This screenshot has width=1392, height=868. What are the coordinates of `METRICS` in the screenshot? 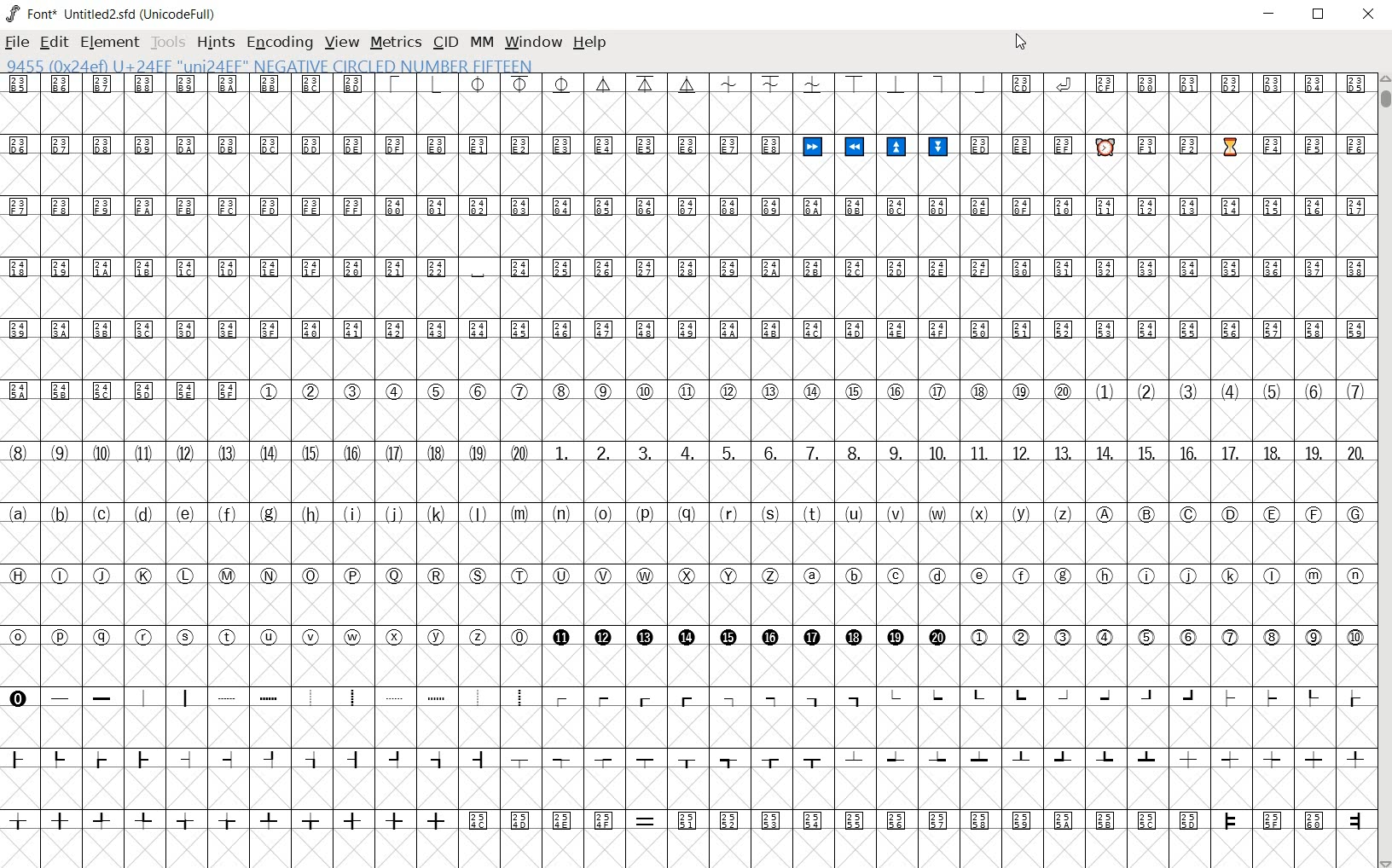 It's located at (396, 42).